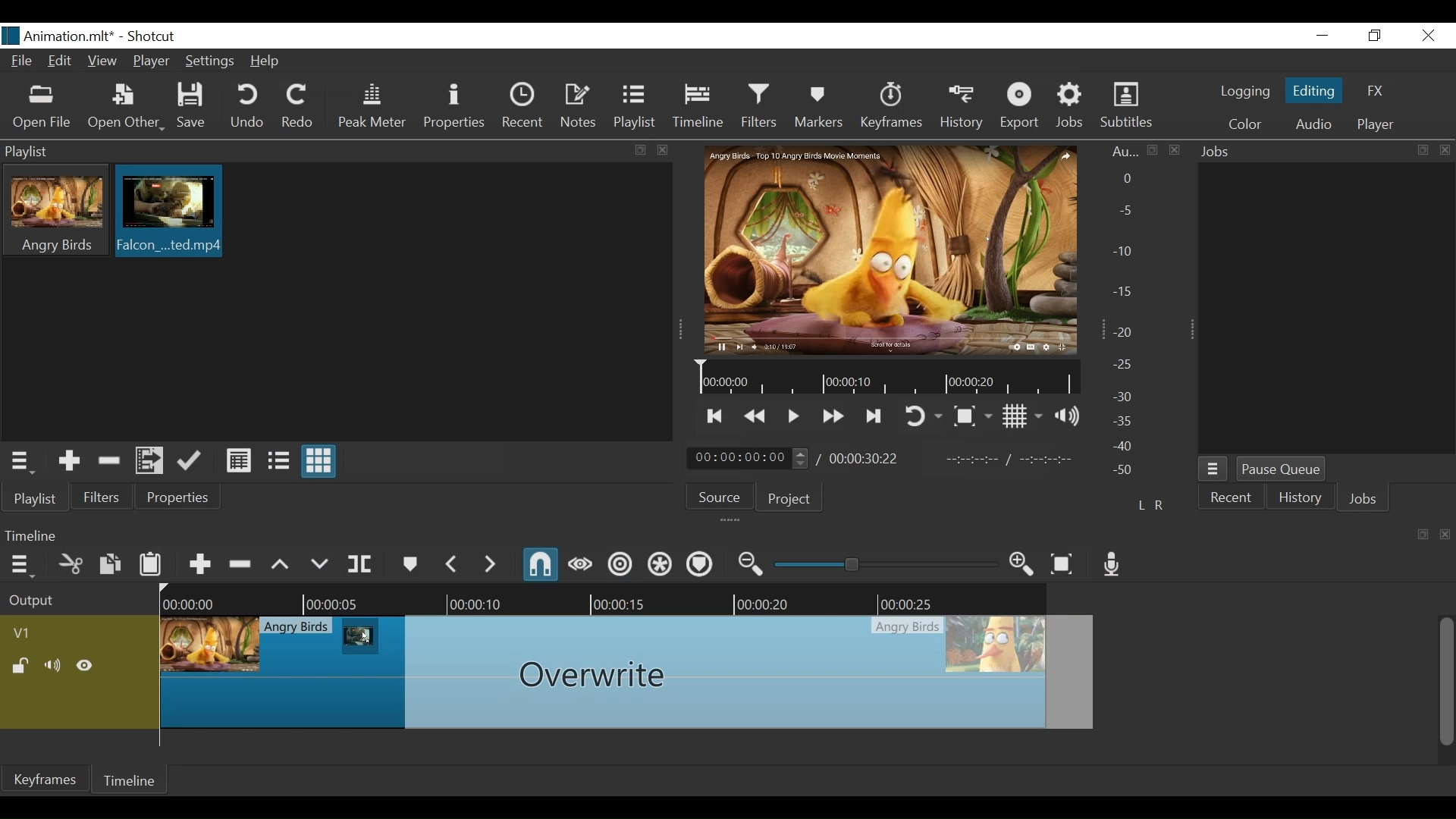 This screenshot has width=1456, height=819. What do you see at coordinates (758, 106) in the screenshot?
I see `Filters` at bounding box center [758, 106].